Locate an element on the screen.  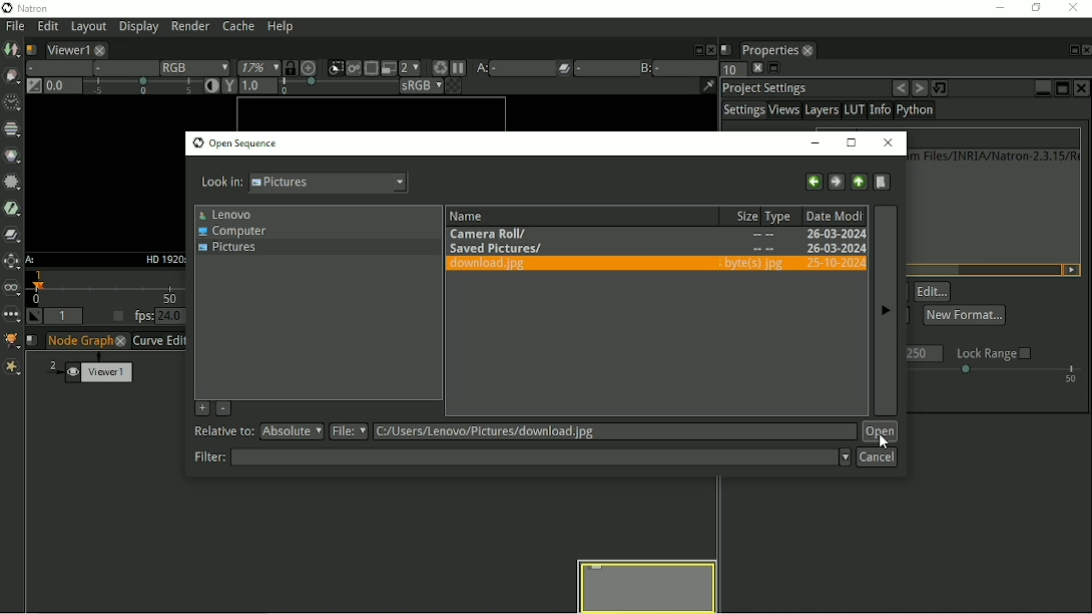
Restore default value is located at coordinates (942, 87).